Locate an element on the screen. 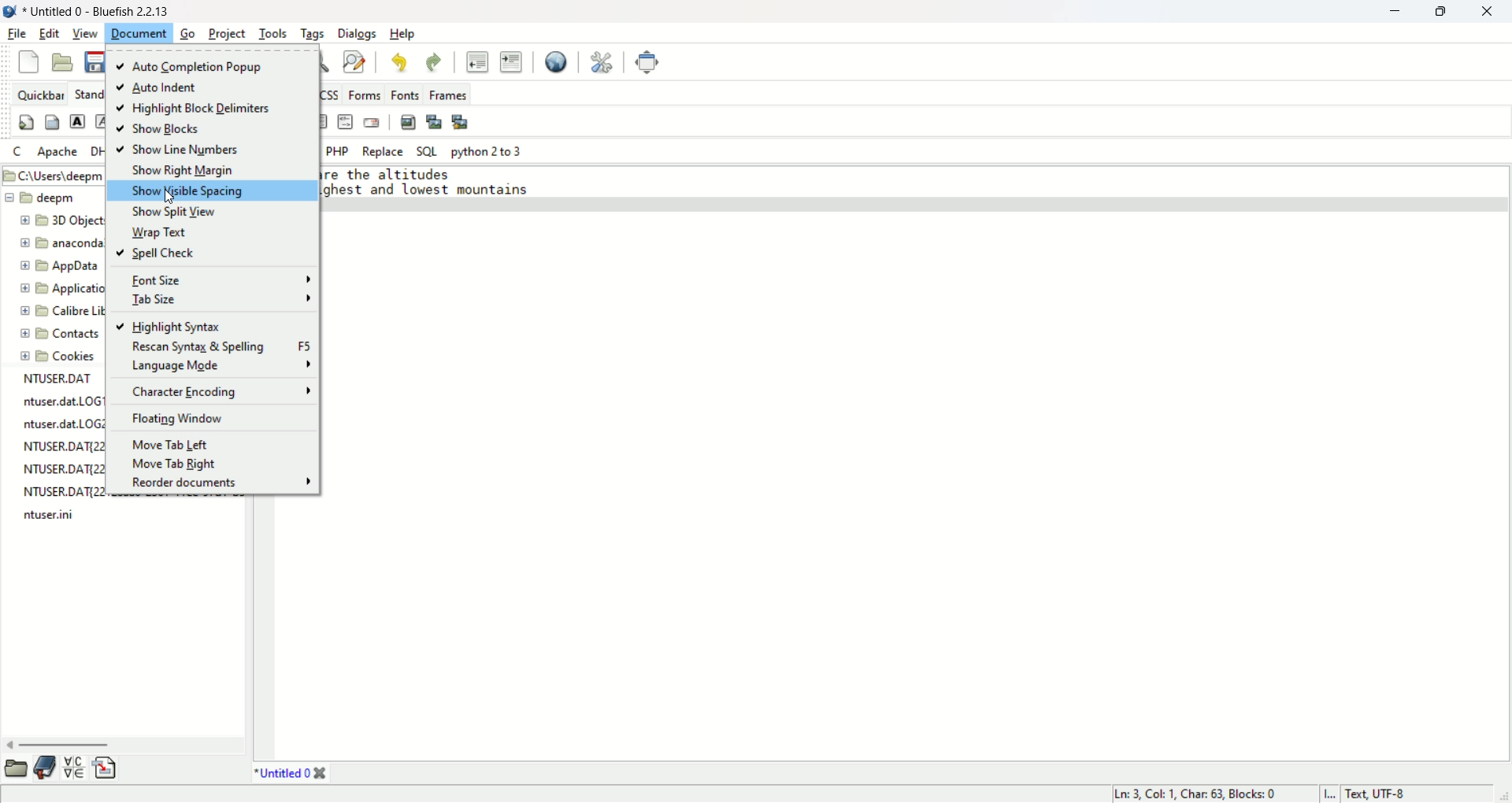 The image size is (1512, 803). cookies is located at coordinates (60, 358).